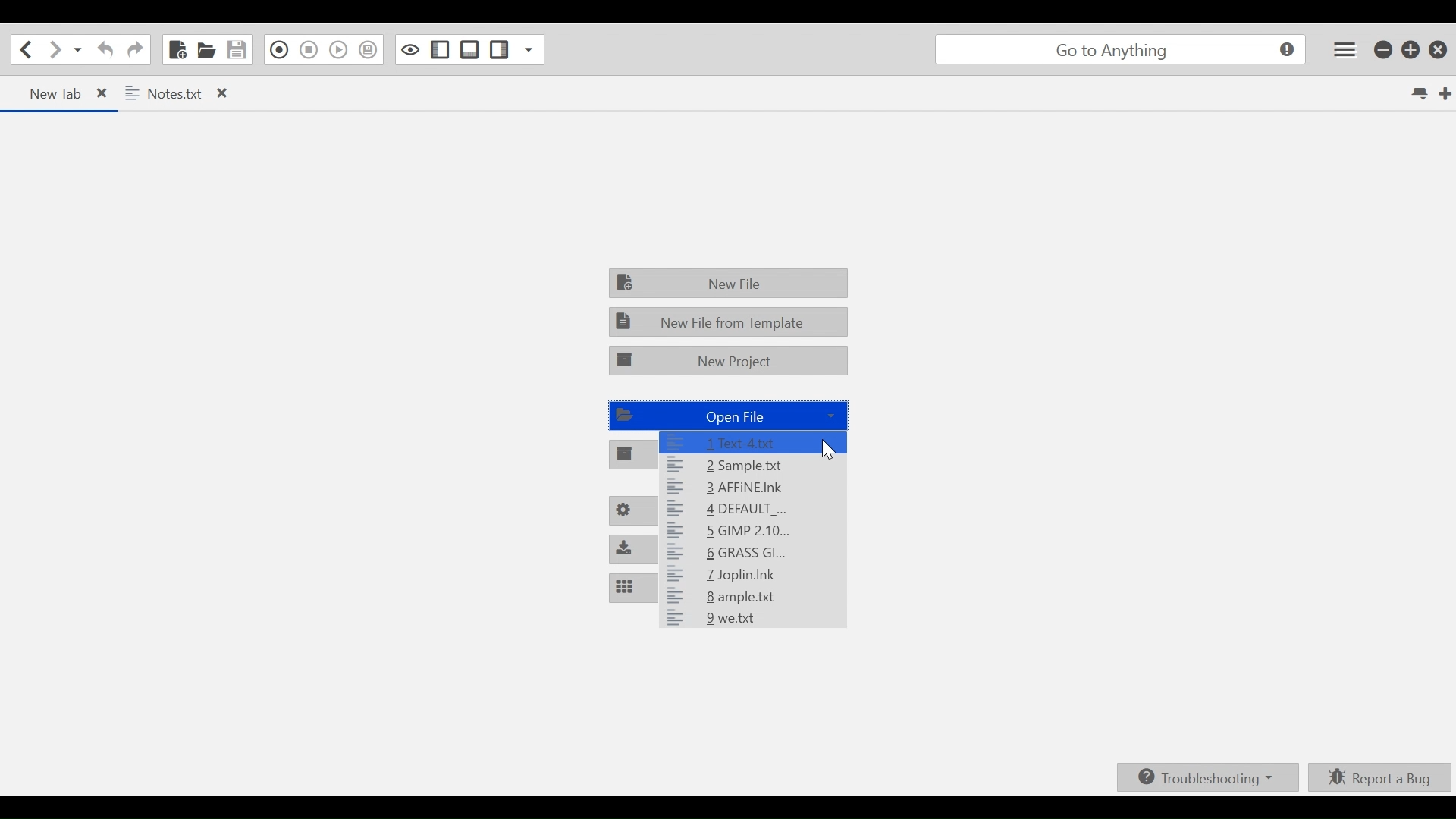 The image size is (1456, 819). What do you see at coordinates (753, 529) in the screenshot?
I see `5 GIMP 2.10...` at bounding box center [753, 529].